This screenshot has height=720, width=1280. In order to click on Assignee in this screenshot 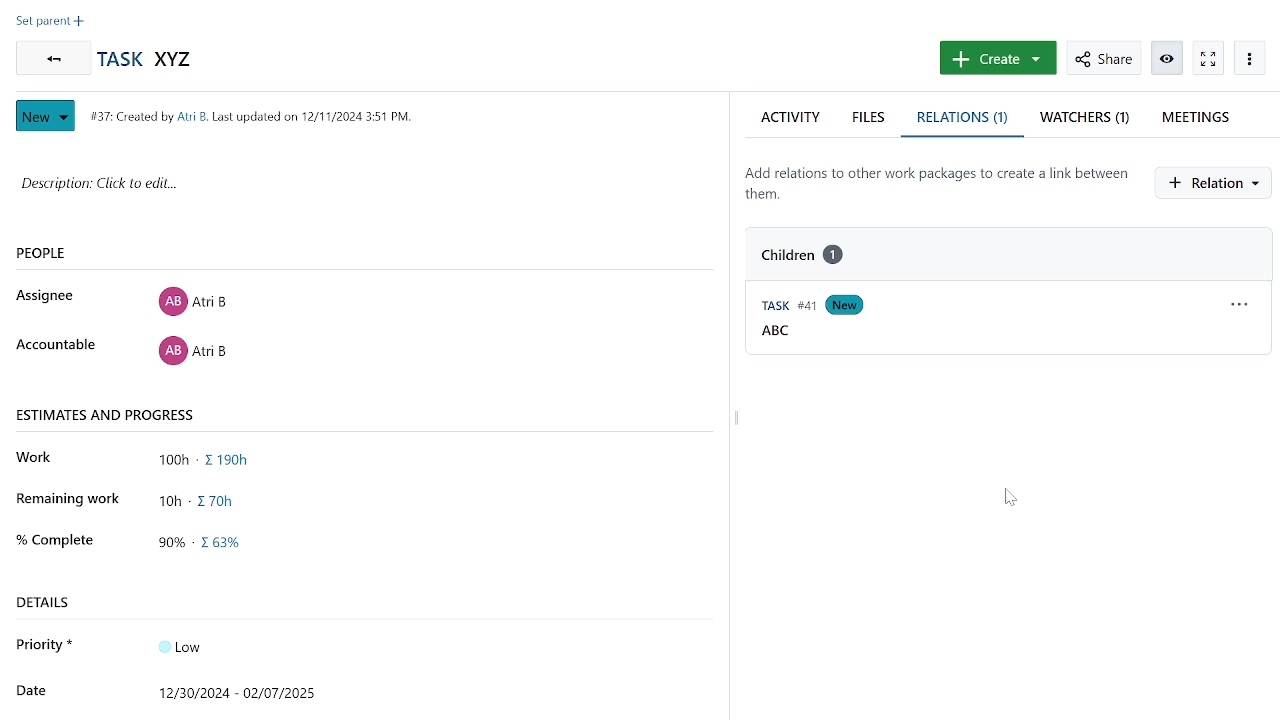, I will do `click(192, 299)`.